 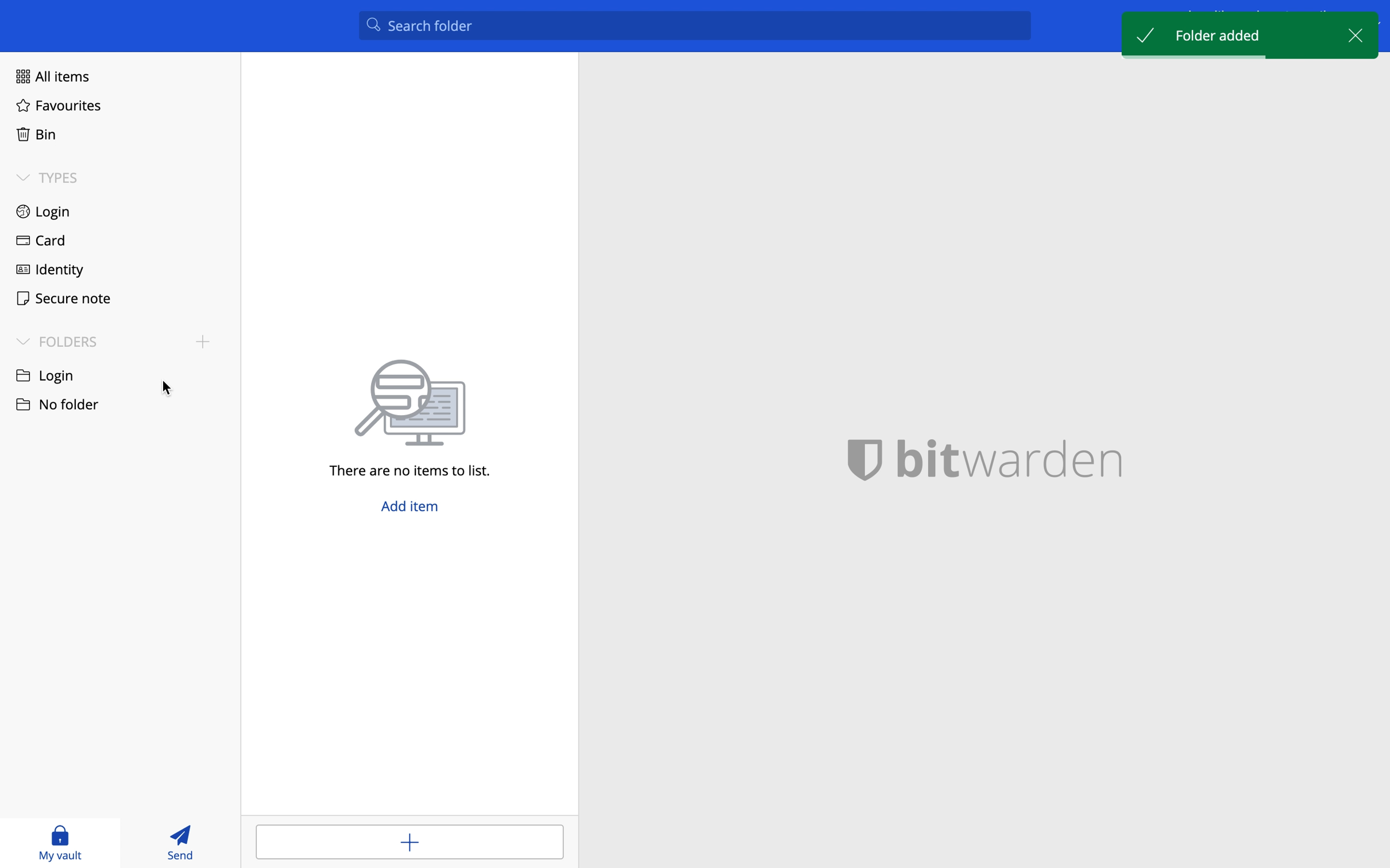 What do you see at coordinates (413, 510) in the screenshot?
I see `add item` at bounding box center [413, 510].